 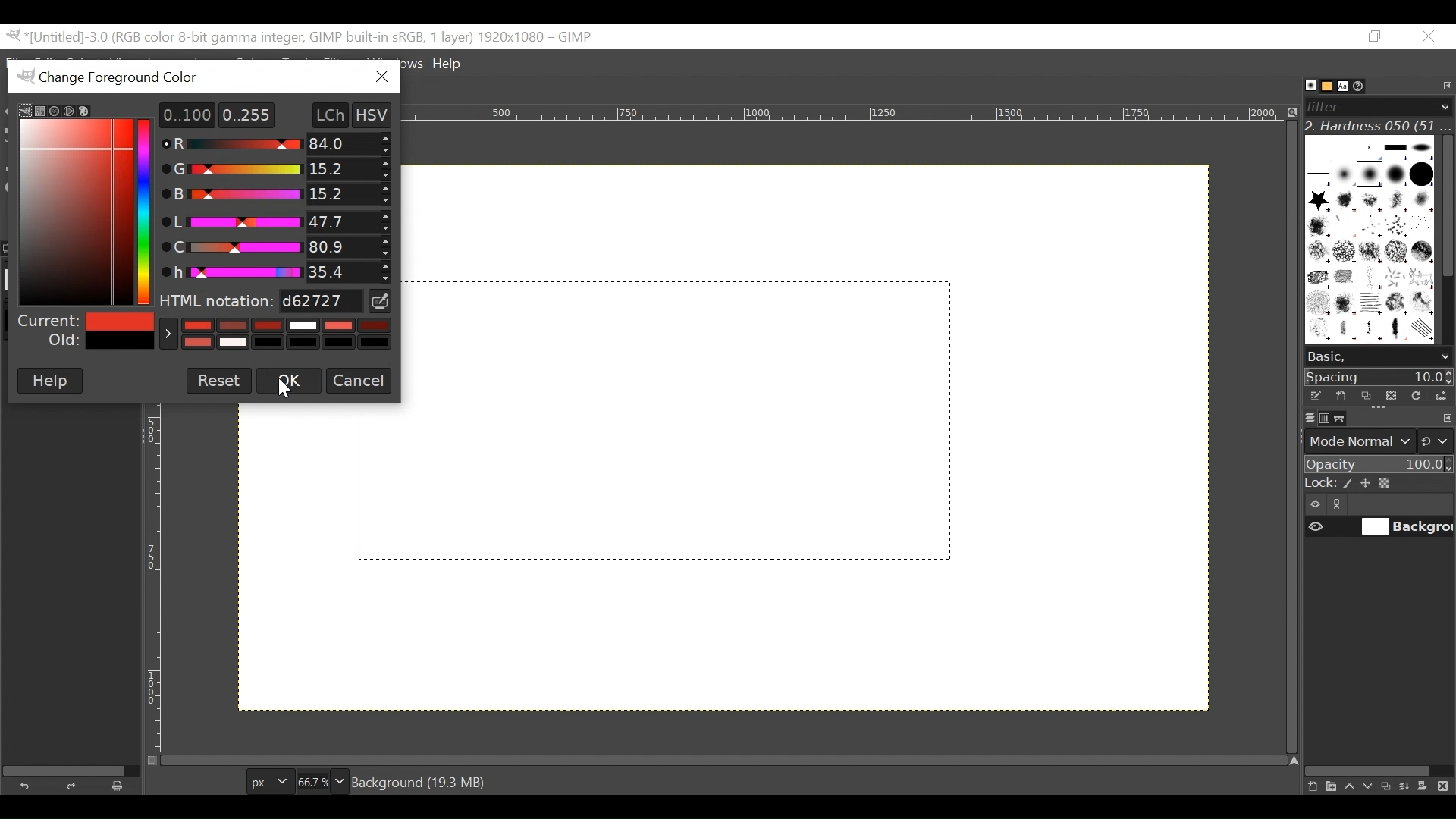 I want to click on Pixels, so click(x=266, y=779).